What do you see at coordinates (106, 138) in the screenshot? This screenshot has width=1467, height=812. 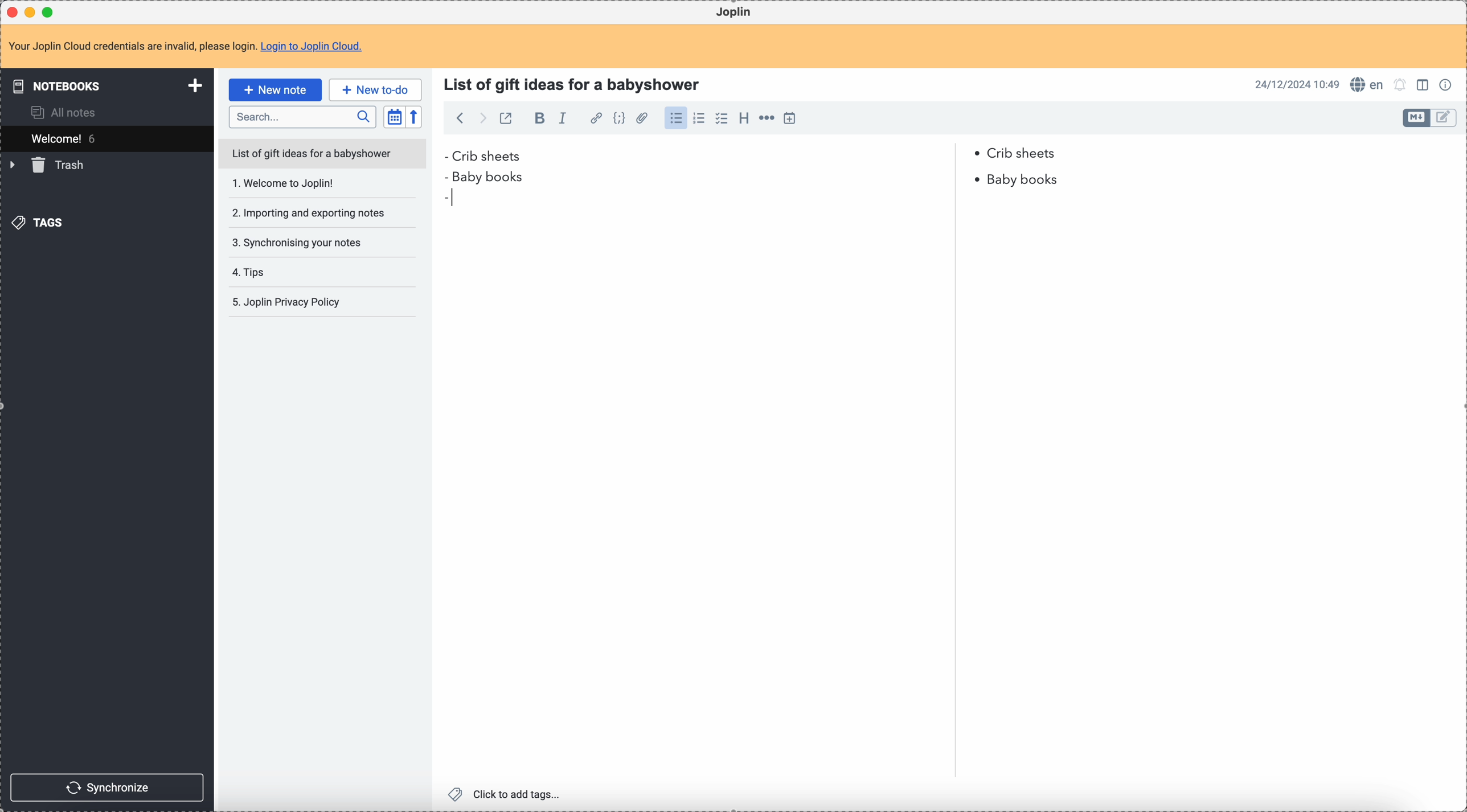 I see `welcome` at bounding box center [106, 138].